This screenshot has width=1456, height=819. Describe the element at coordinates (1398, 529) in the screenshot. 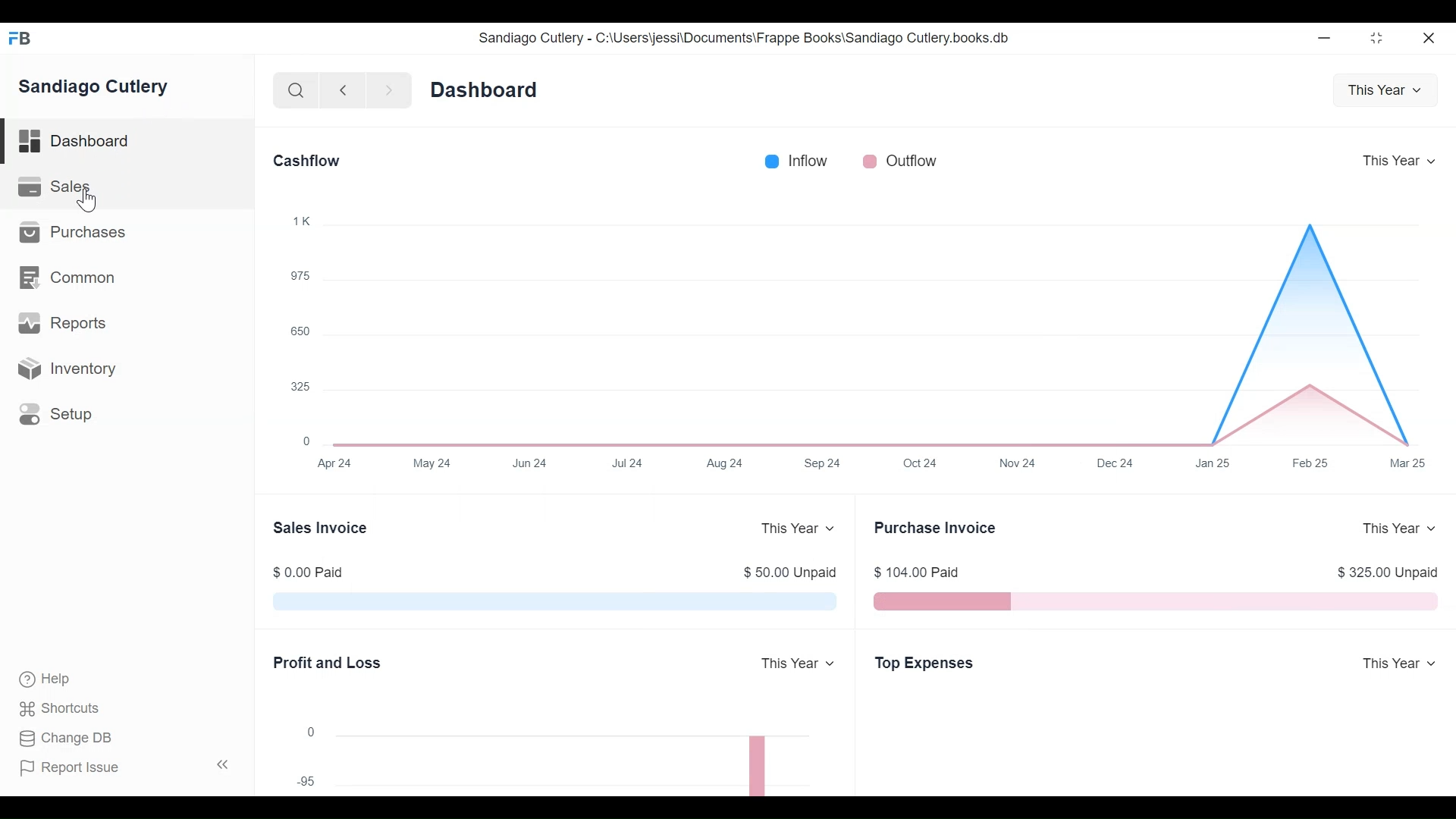

I see `This Year` at that location.